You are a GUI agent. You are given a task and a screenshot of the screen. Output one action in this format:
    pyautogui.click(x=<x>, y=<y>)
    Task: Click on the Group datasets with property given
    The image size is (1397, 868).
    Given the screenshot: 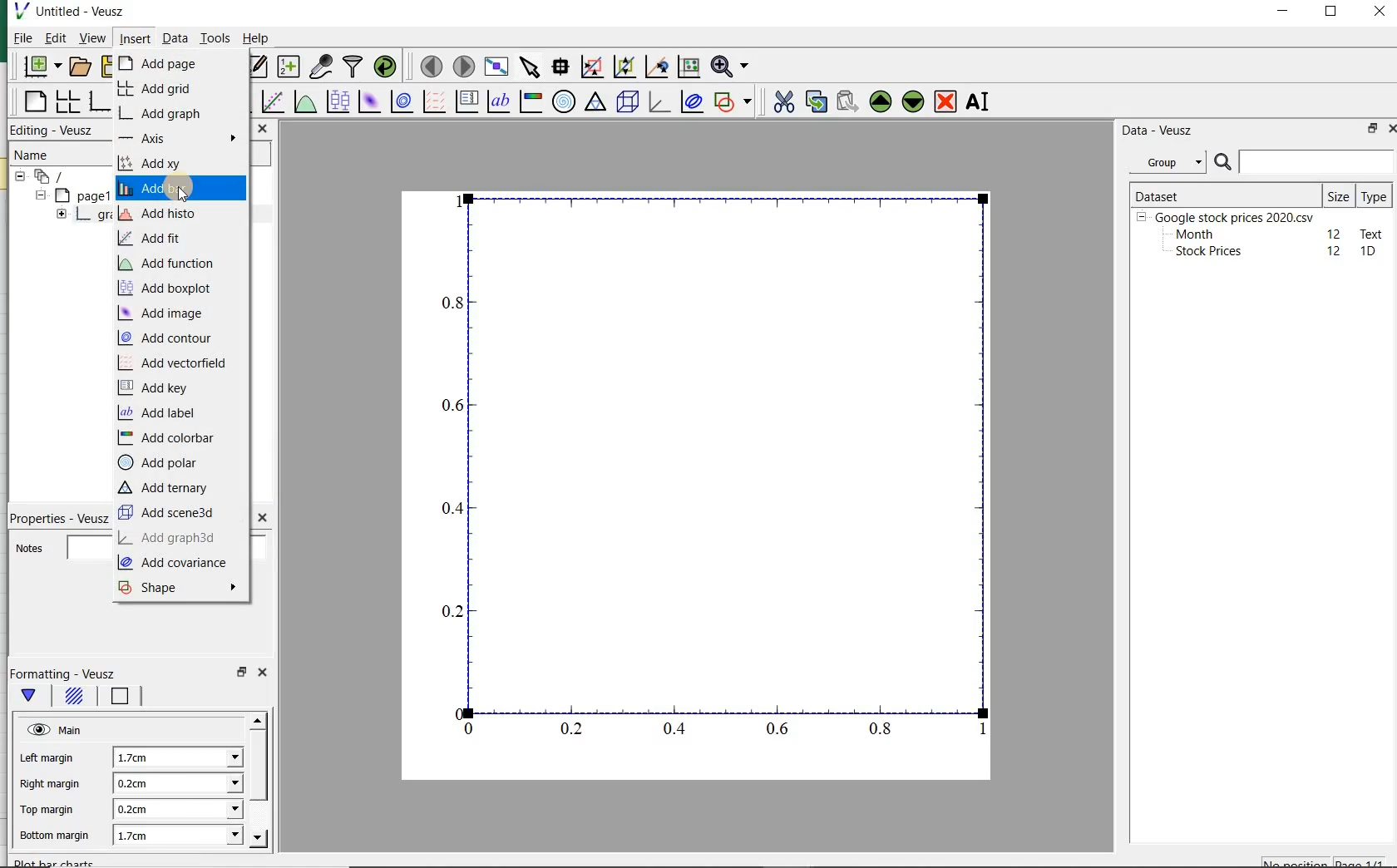 What is the action you would take?
    pyautogui.click(x=1163, y=162)
    